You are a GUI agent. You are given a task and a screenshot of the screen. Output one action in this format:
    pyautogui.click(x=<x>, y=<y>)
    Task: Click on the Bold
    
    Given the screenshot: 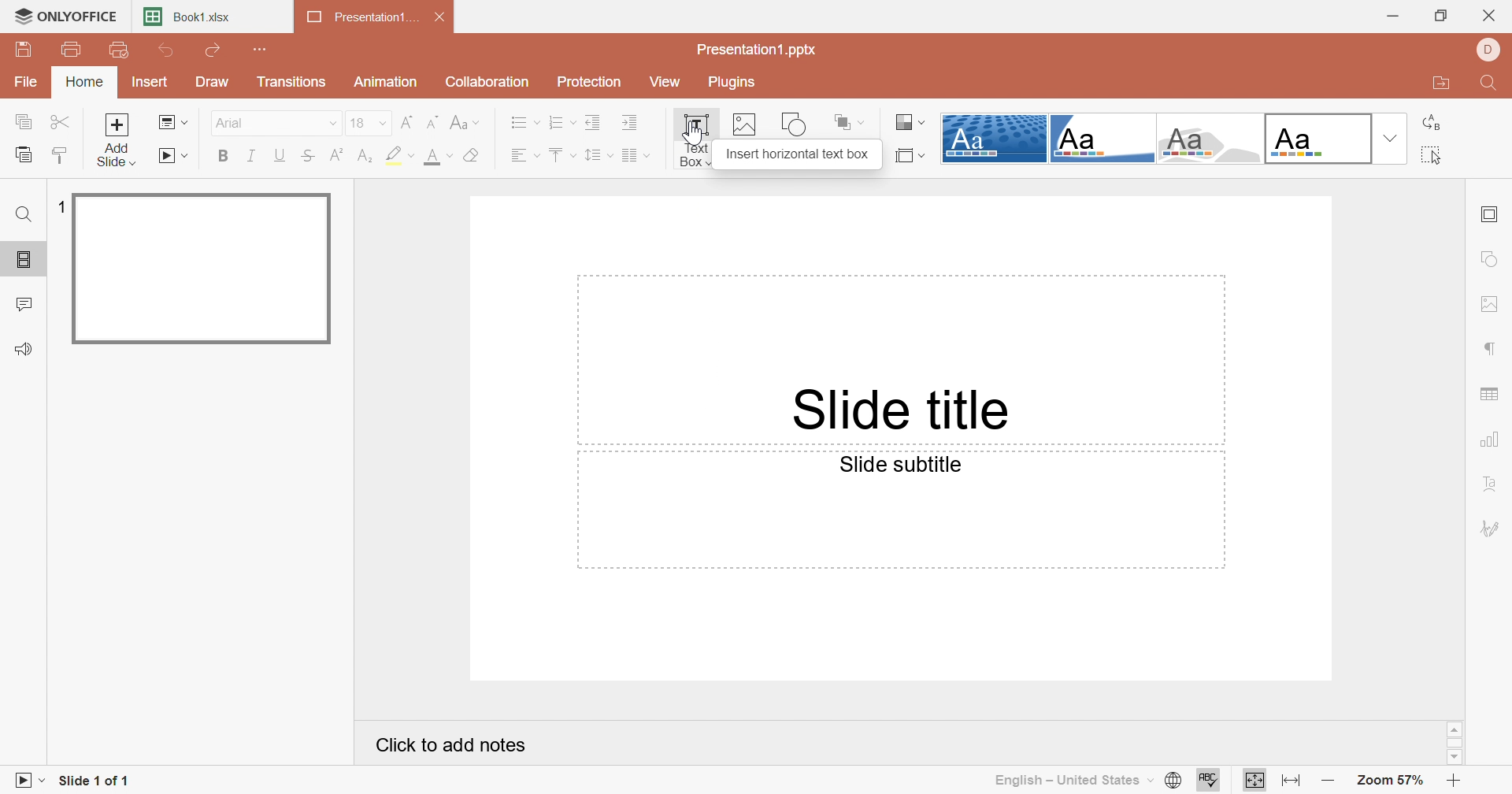 What is the action you would take?
    pyautogui.click(x=223, y=157)
    